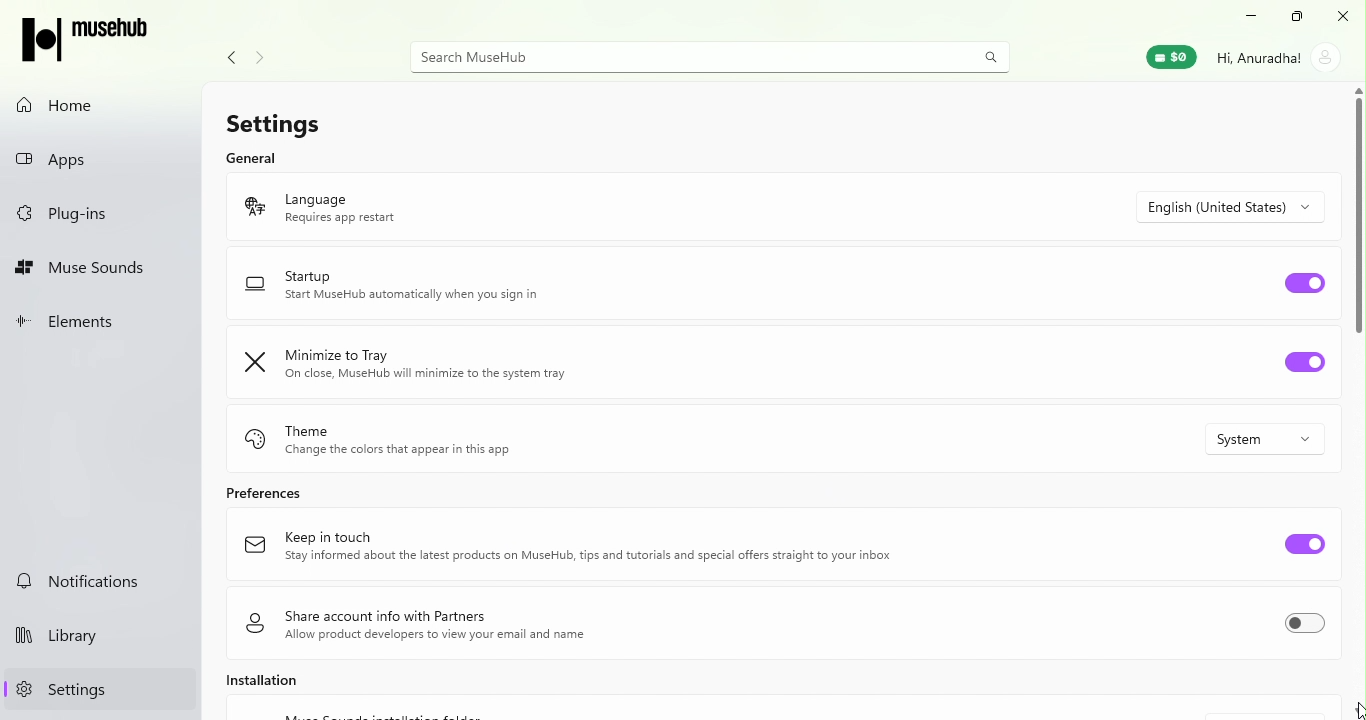 This screenshot has height=720, width=1366. Describe the element at coordinates (97, 689) in the screenshot. I see `Settings` at that location.